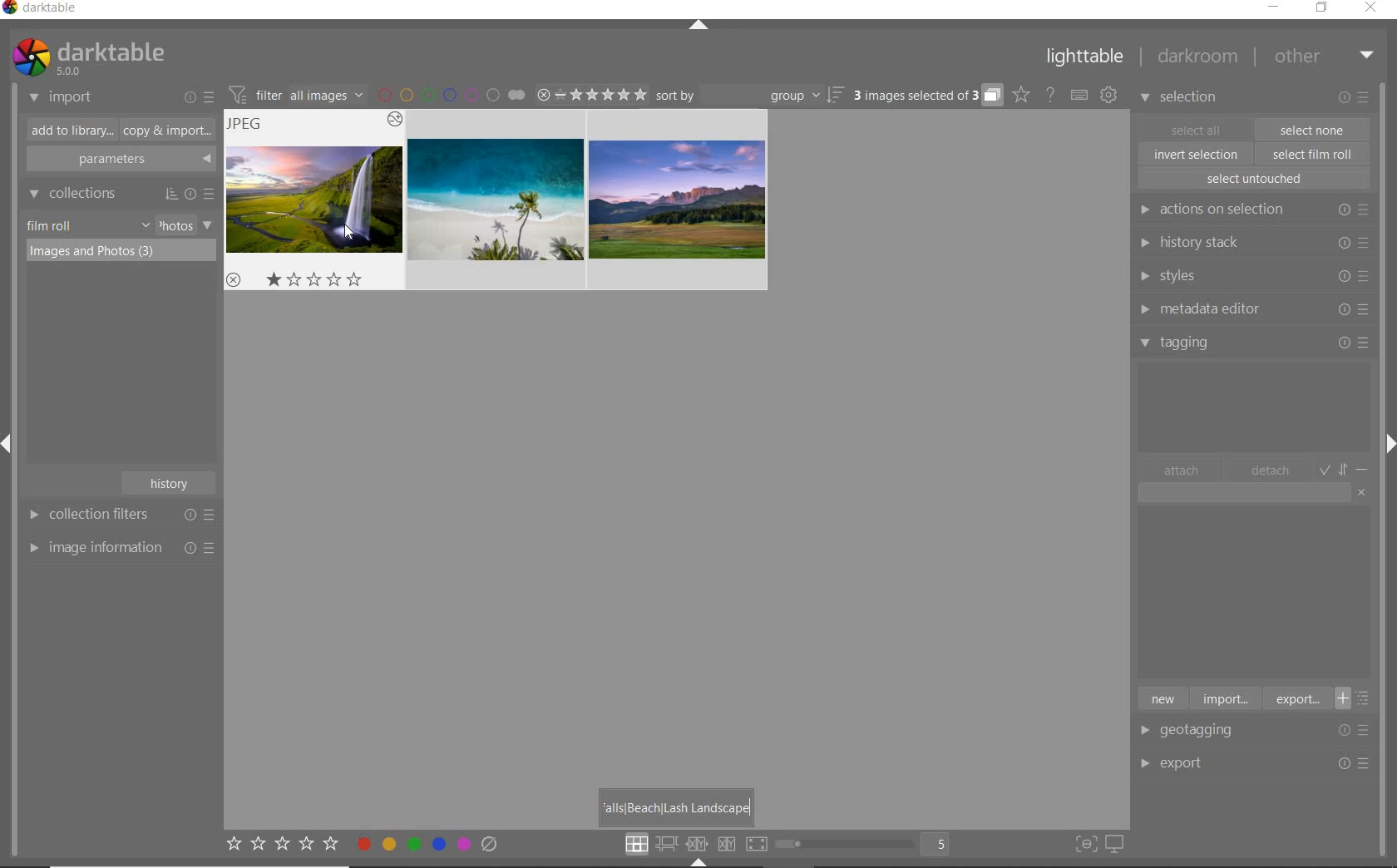 The image size is (1397, 868). Describe the element at coordinates (1108, 96) in the screenshot. I see `show global preferences` at that location.